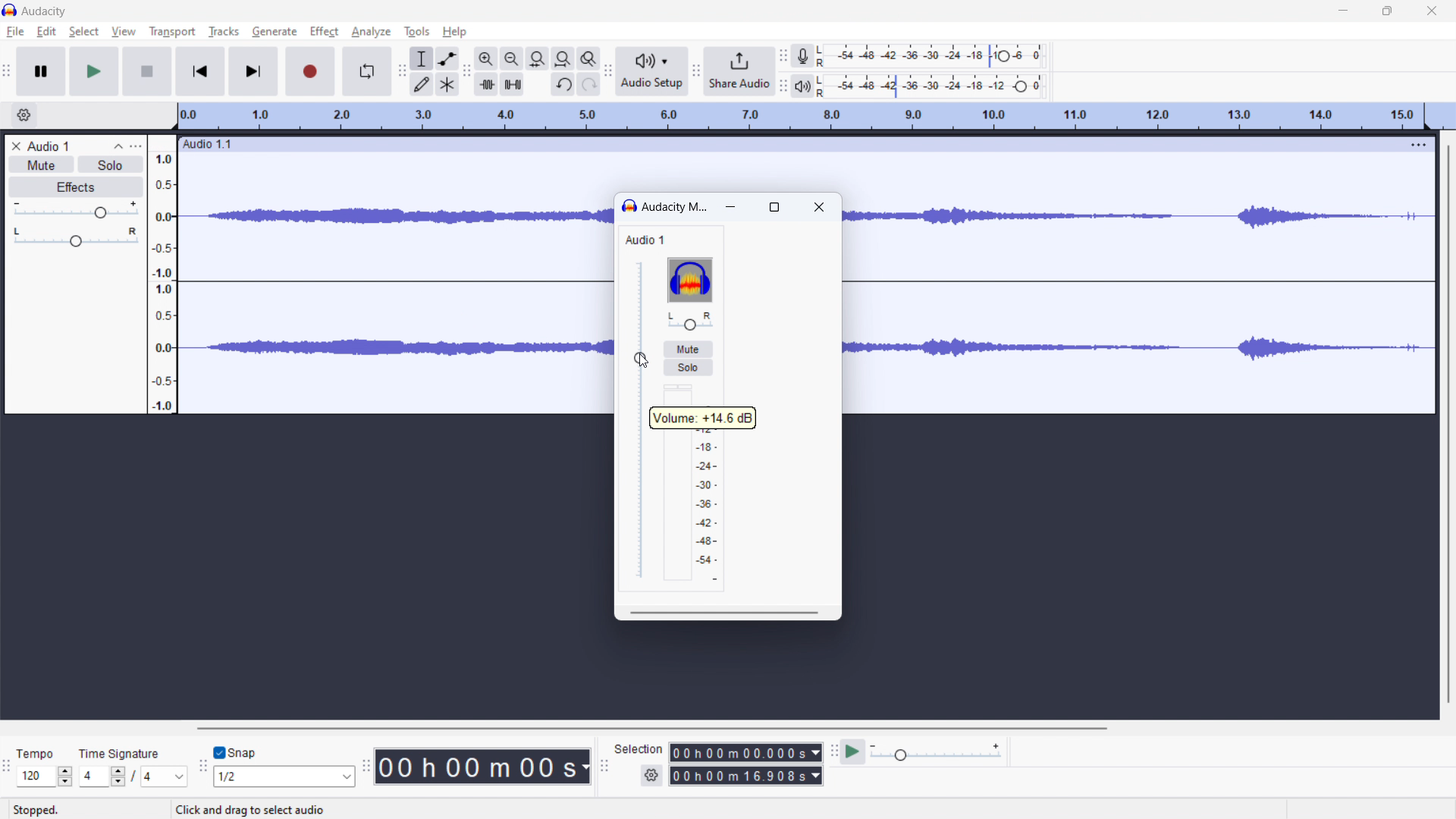 This screenshot has height=819, width=1456. What do you see at coordinates (393, 212) in the screenshot?
I see `waveform` at bounding box center [393, 212].